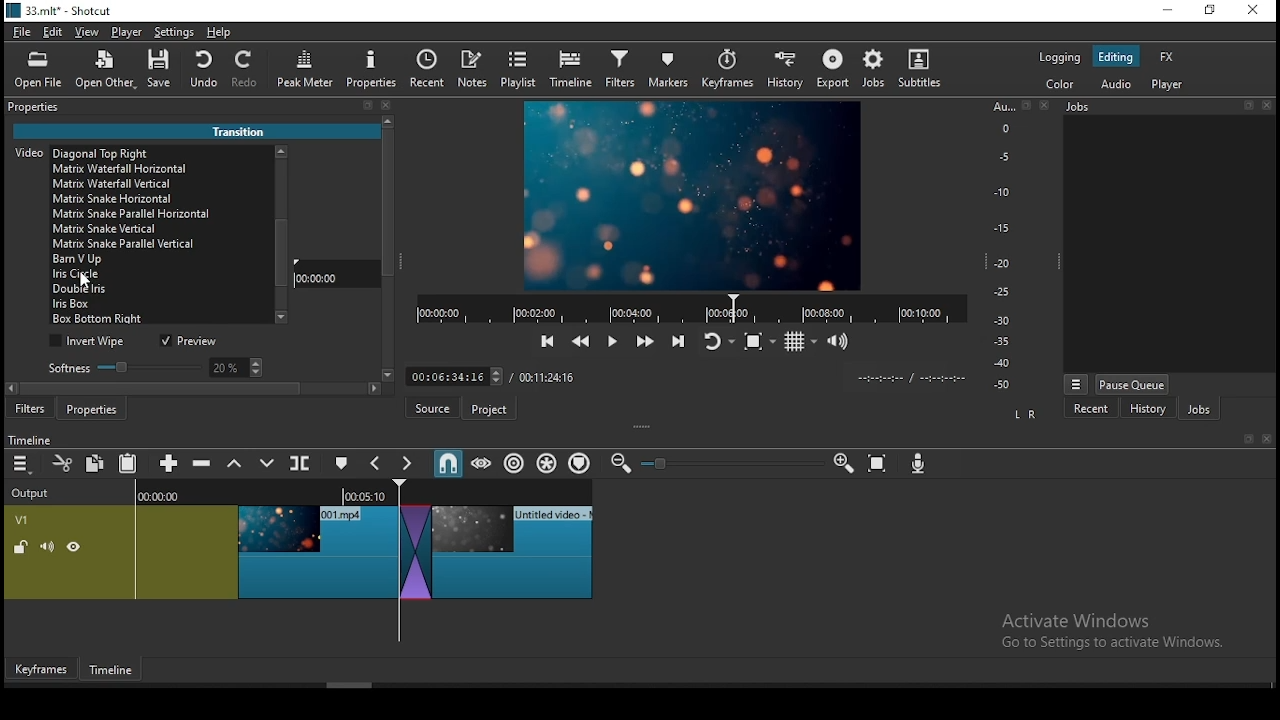  I want to click on color, so click(1060, 57).